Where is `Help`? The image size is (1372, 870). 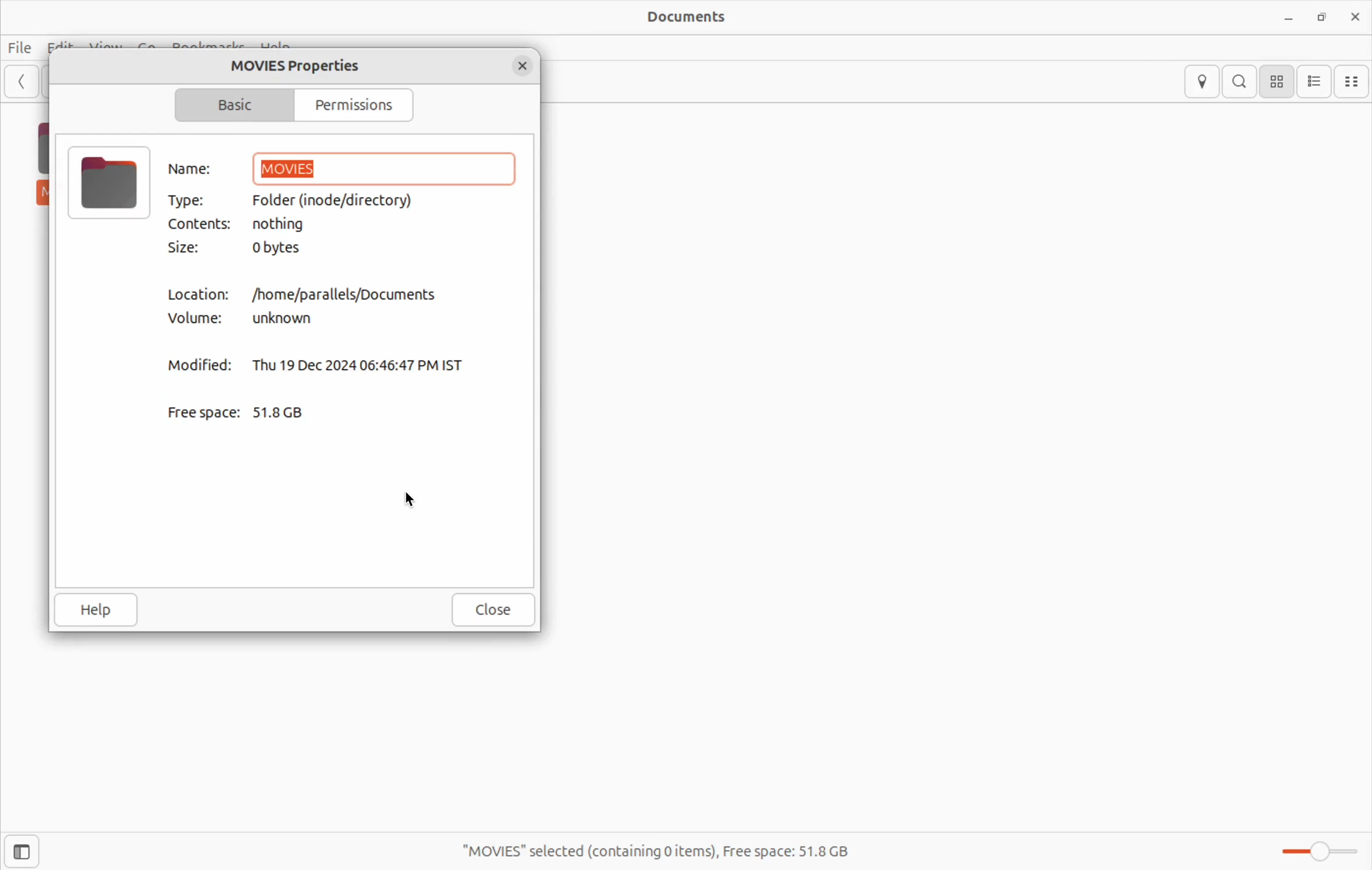 Help is located at coordinates (96, 608).